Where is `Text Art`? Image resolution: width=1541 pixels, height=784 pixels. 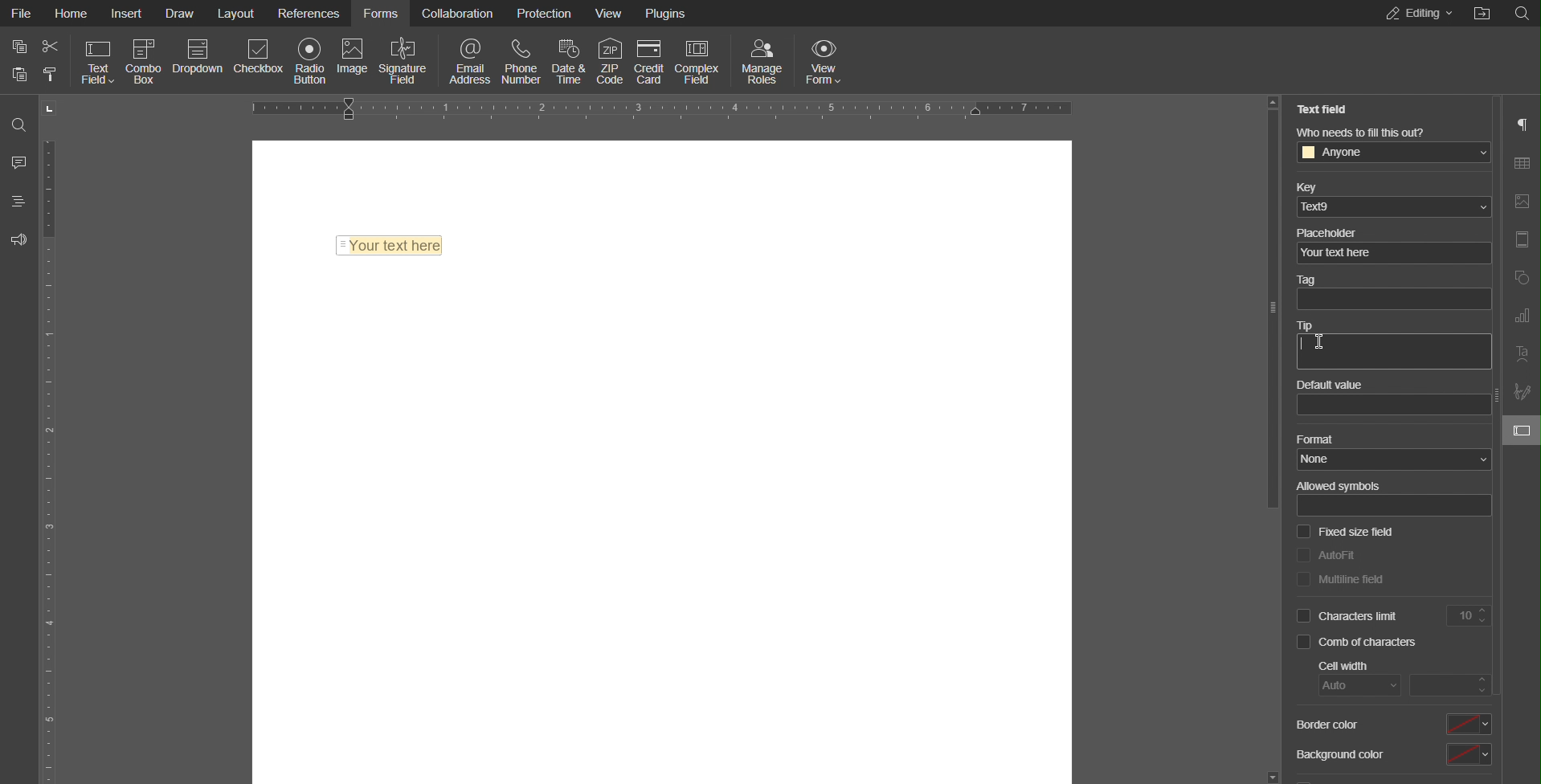
Text Art is located at coordinates (1520, 354).